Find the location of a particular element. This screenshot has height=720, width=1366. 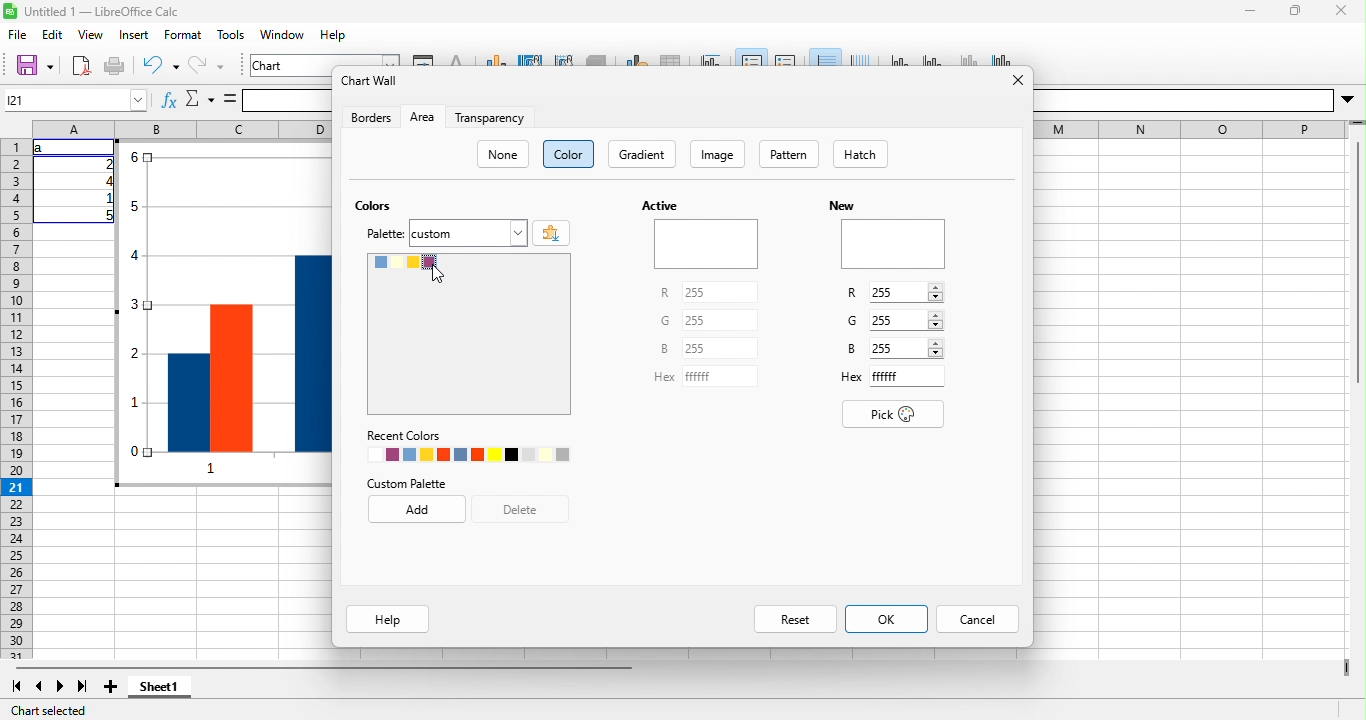

next sheet is located at coordinates (60, 686).